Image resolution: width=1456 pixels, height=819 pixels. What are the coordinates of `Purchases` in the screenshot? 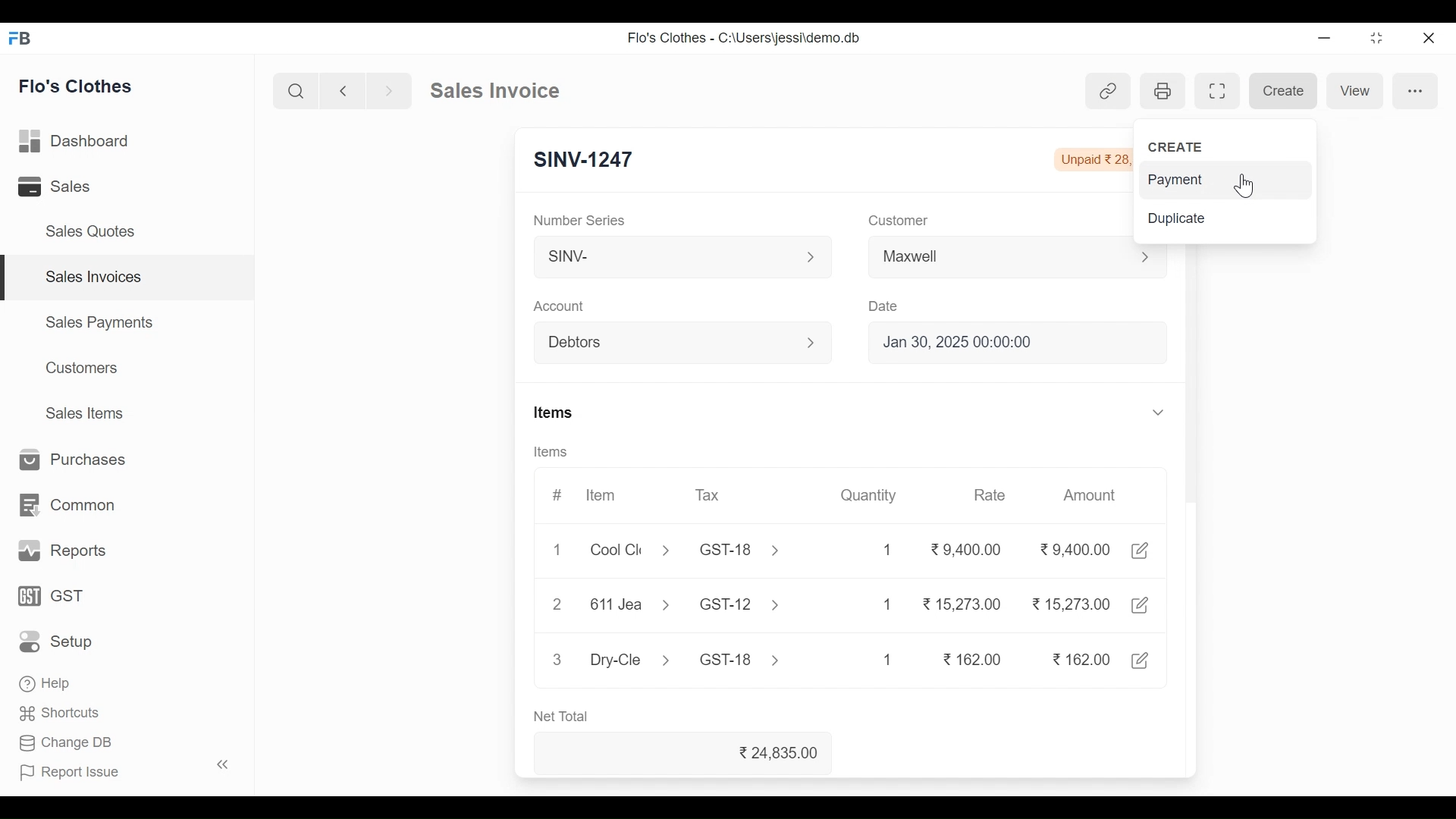 It's located at (67, 460).